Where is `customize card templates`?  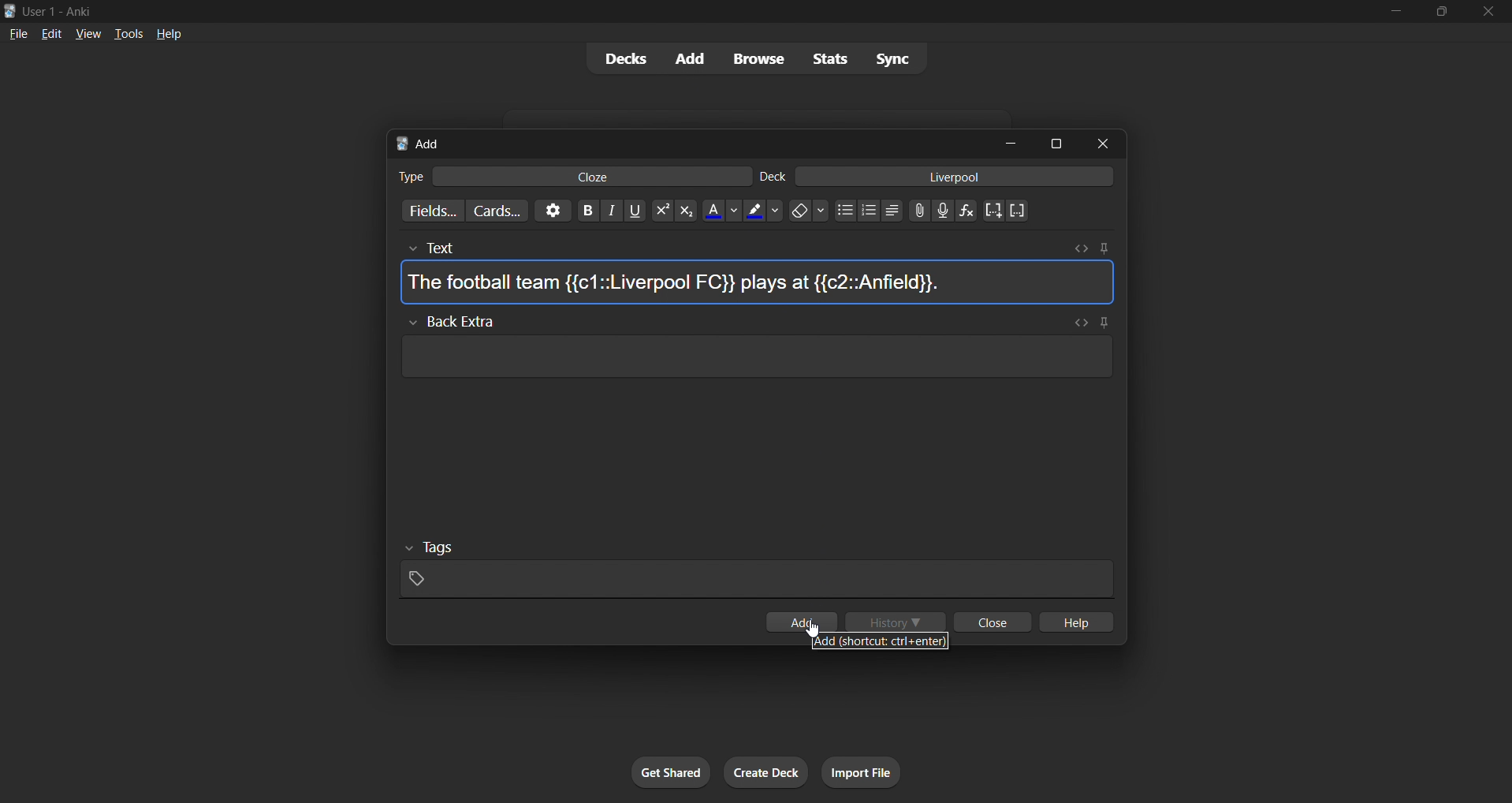 customize card templates is located at coordinates (504, 211).